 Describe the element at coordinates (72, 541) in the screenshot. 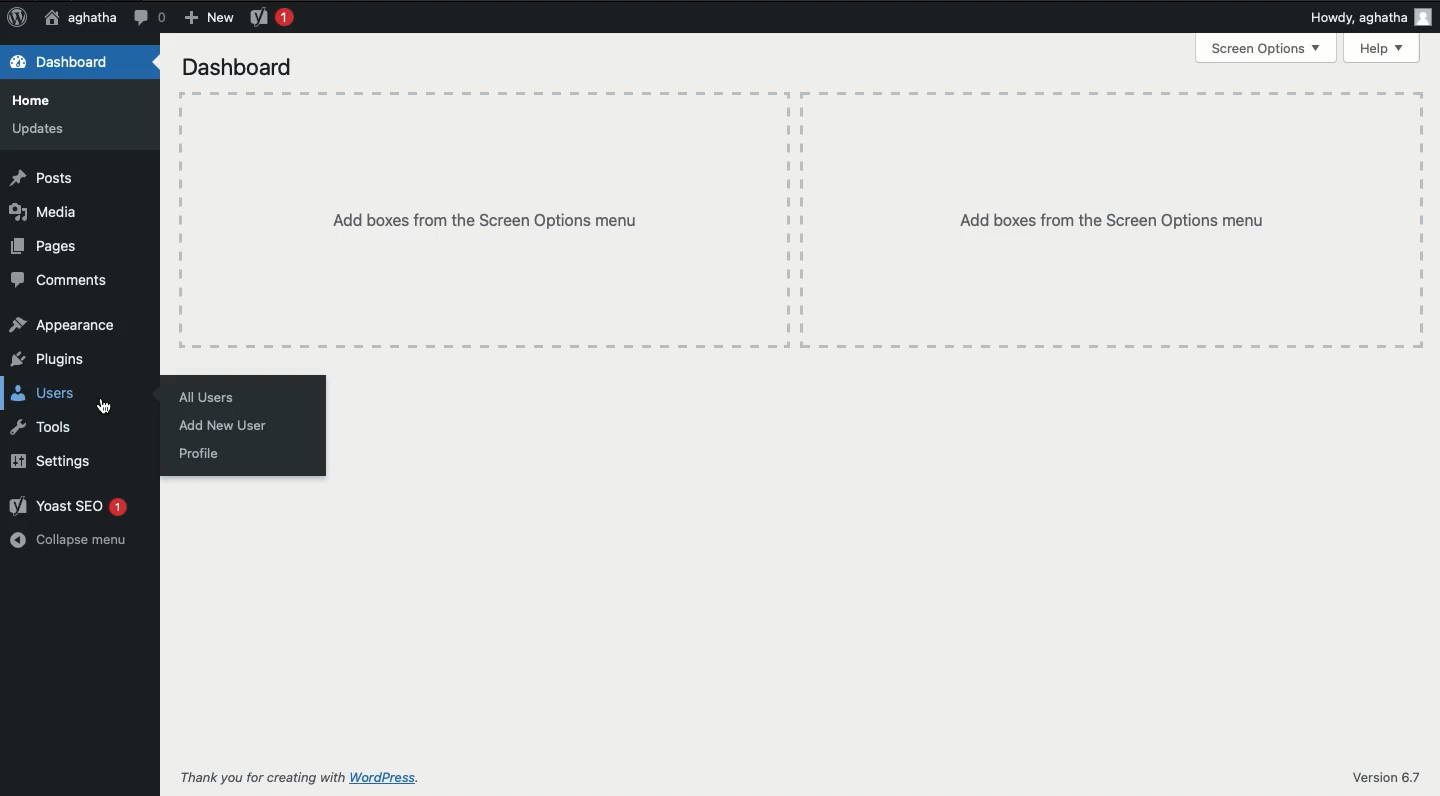

I see `Collapse menu` at that location.